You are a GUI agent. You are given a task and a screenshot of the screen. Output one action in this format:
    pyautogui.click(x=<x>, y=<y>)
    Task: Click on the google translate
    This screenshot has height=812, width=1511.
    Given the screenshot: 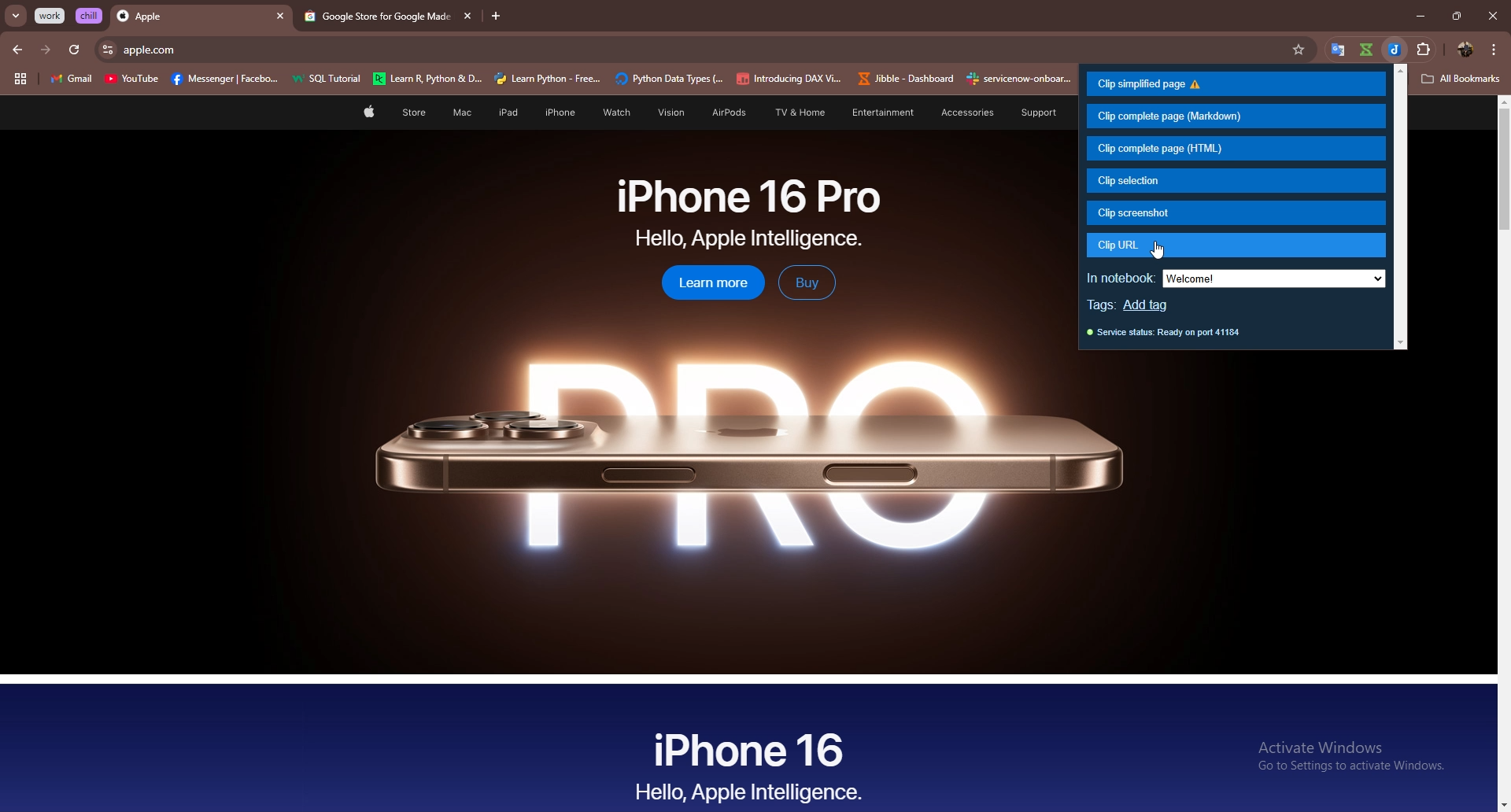 What is the action you would take?
    pyautogui.click(x=1365, y=50)
    